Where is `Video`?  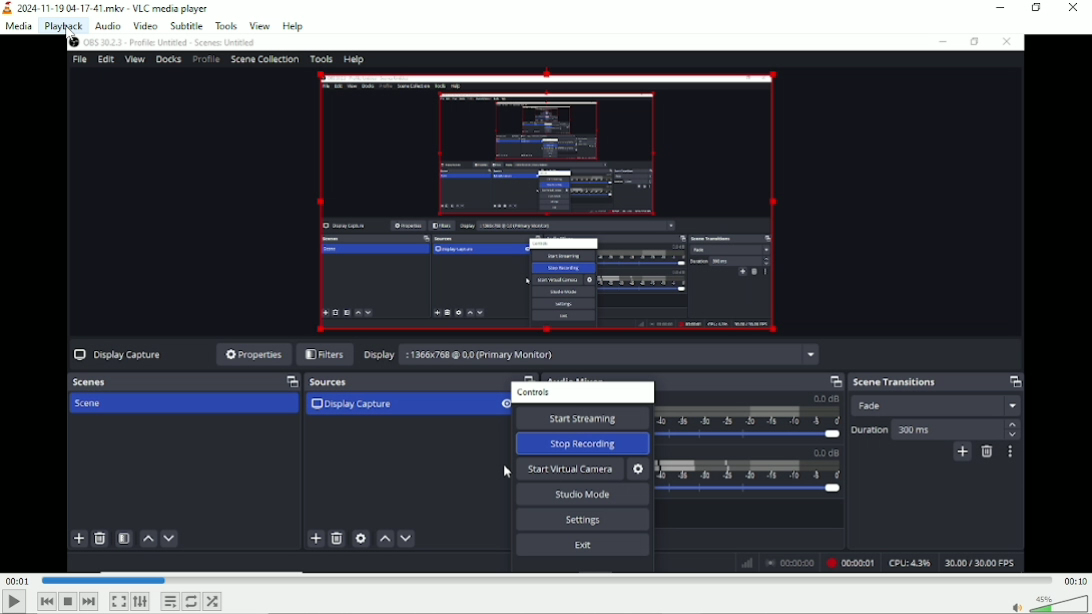
Video is located at coordinates (546, 304).